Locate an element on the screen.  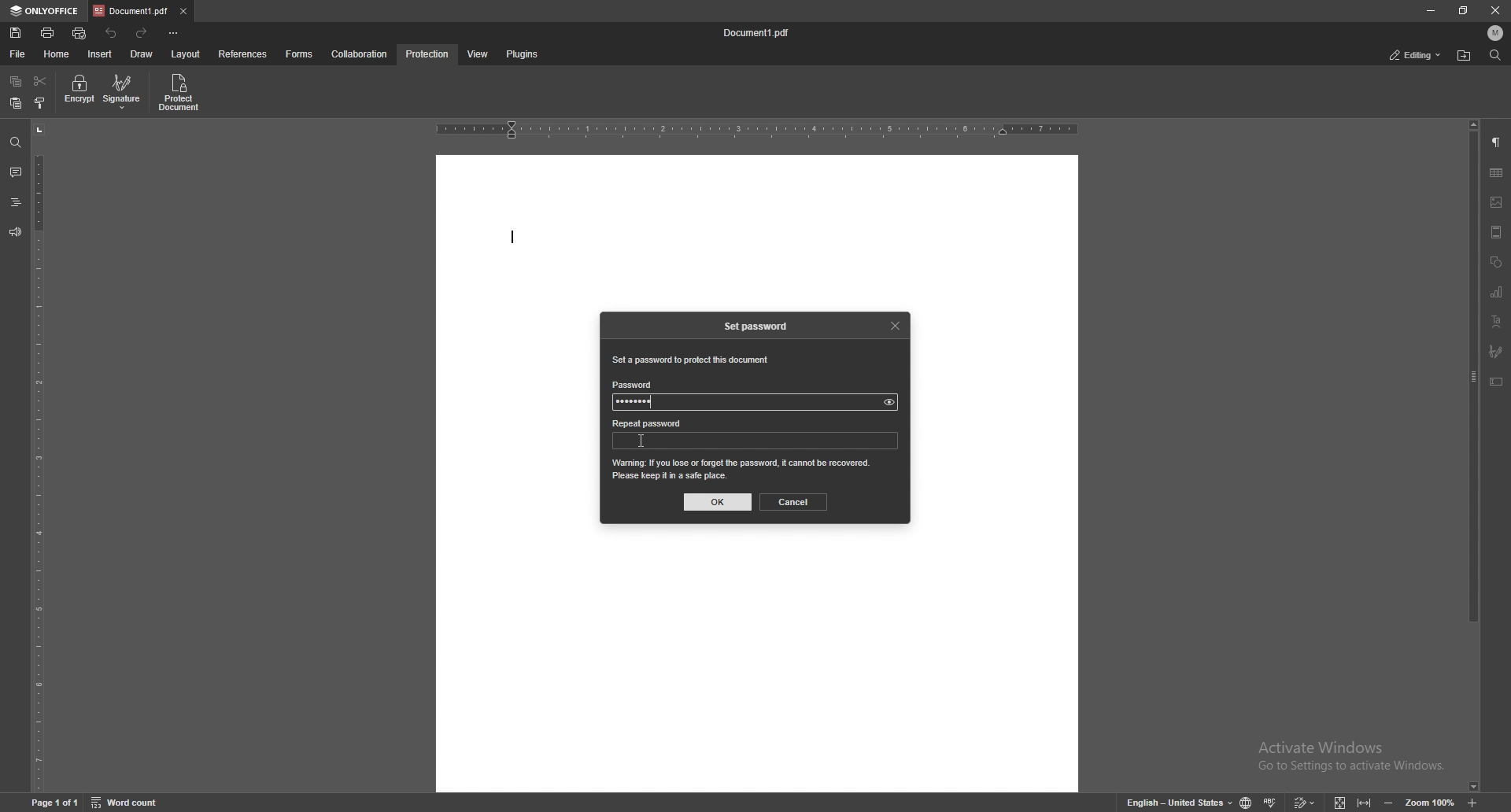
insert is located at coordinates (99, 55).